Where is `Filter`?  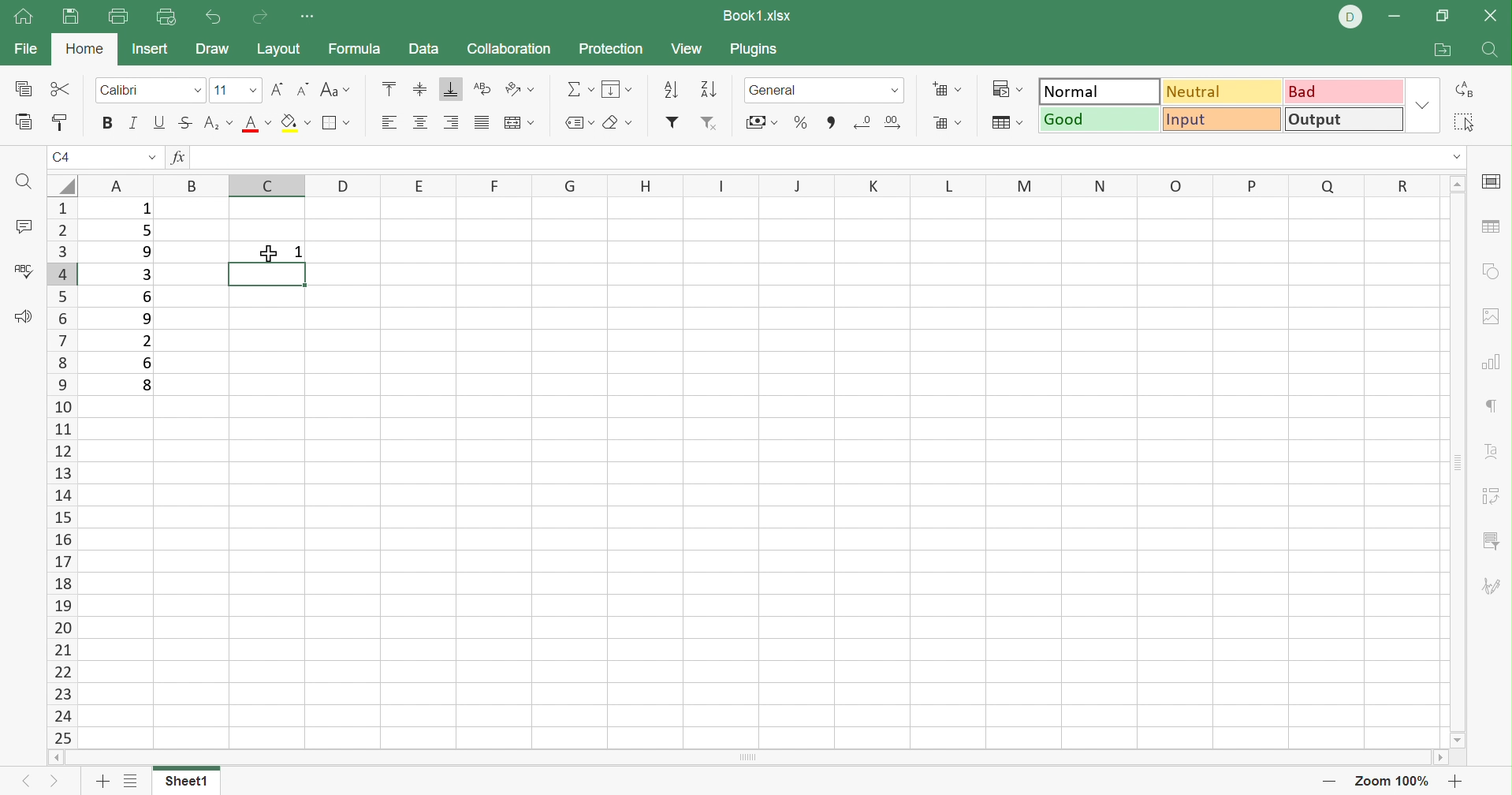 Filter is located at coordinates (671, 123).